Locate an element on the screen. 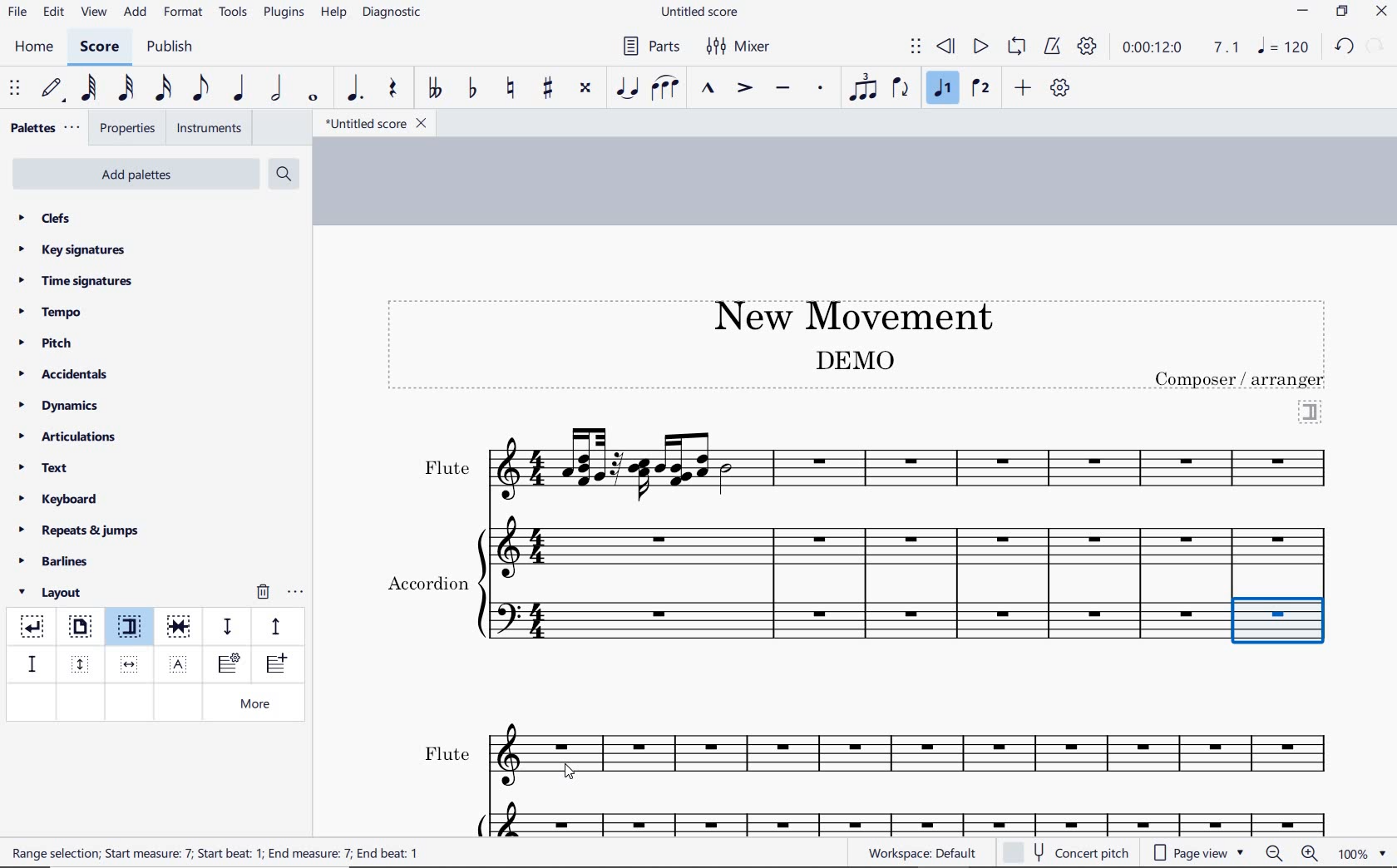 The width and height of the screenshot is (1397, 868). instruments is located at coordinates (206, 129).